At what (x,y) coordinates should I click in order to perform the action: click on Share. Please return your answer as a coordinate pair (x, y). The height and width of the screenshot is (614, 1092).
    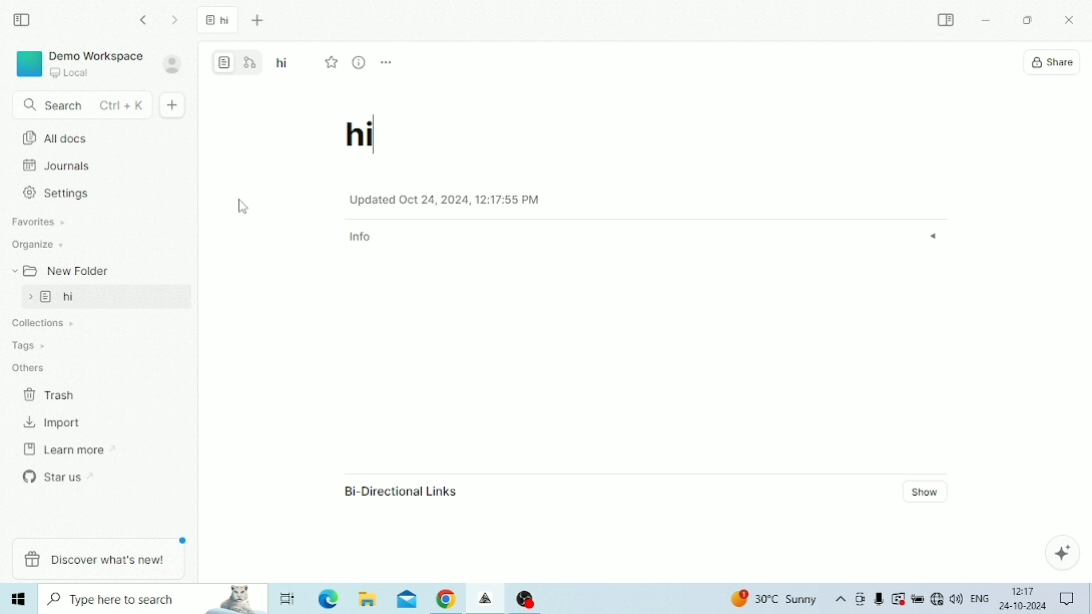
    Looking at the image, I should click on (1052, 63).